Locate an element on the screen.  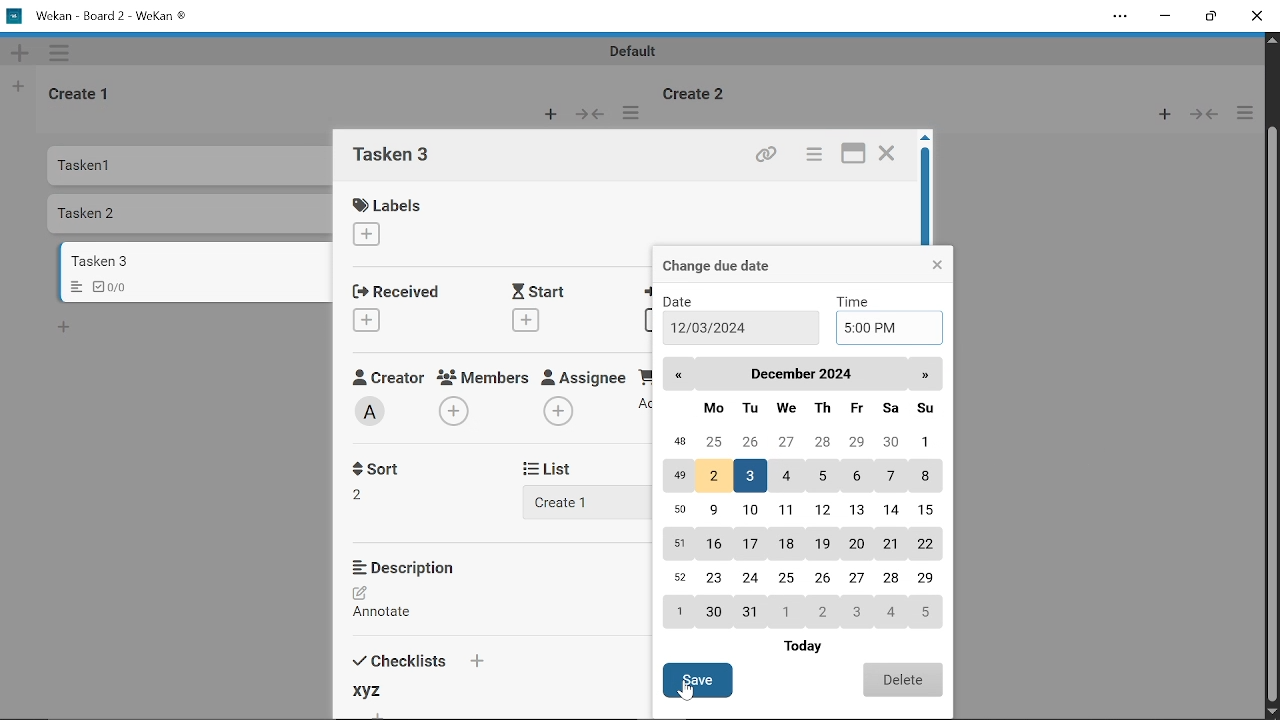
Forward/Back is located at coordinates (1200, 116).